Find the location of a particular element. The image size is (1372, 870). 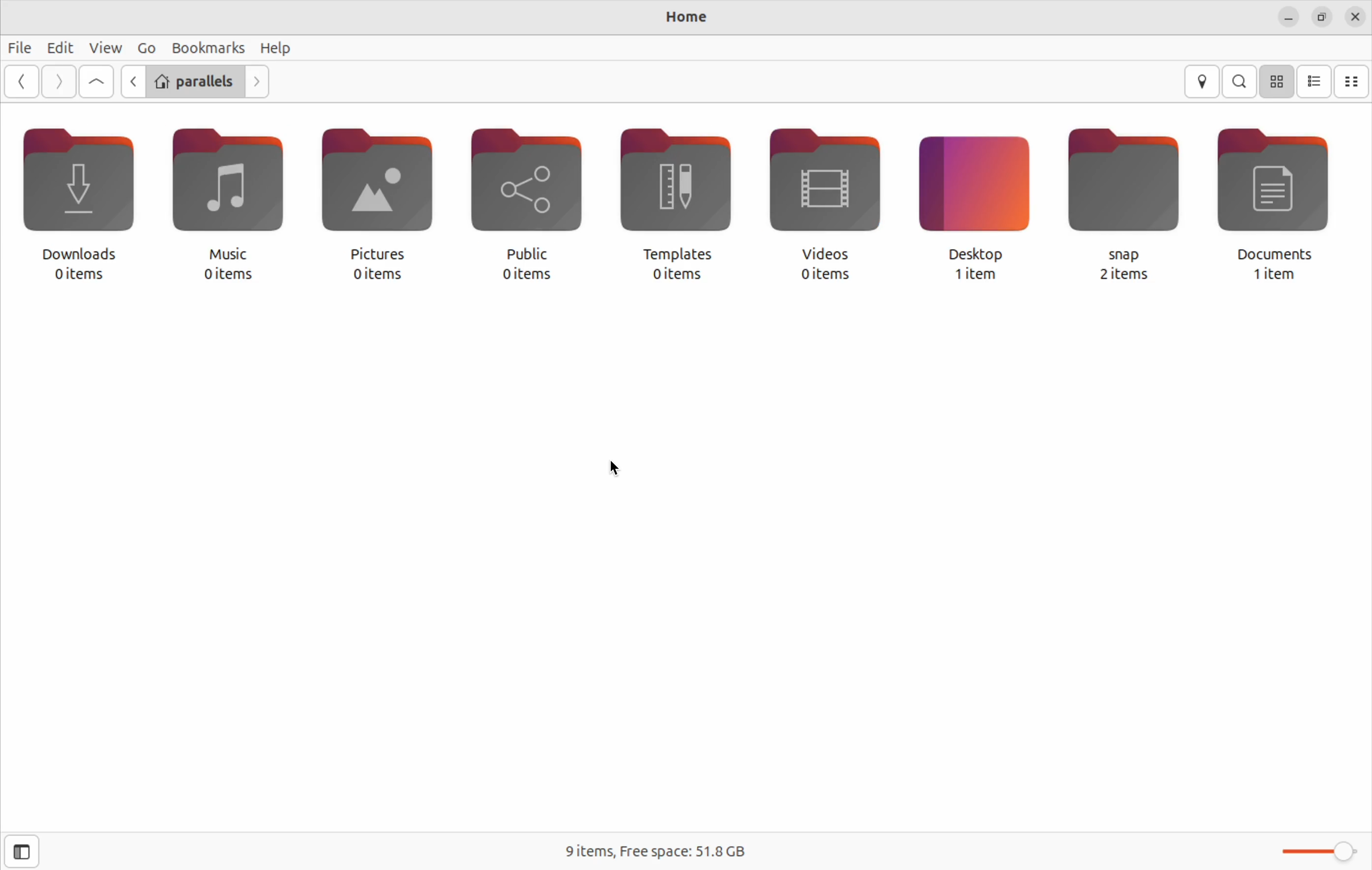

public is located at coordinates (534, 204).